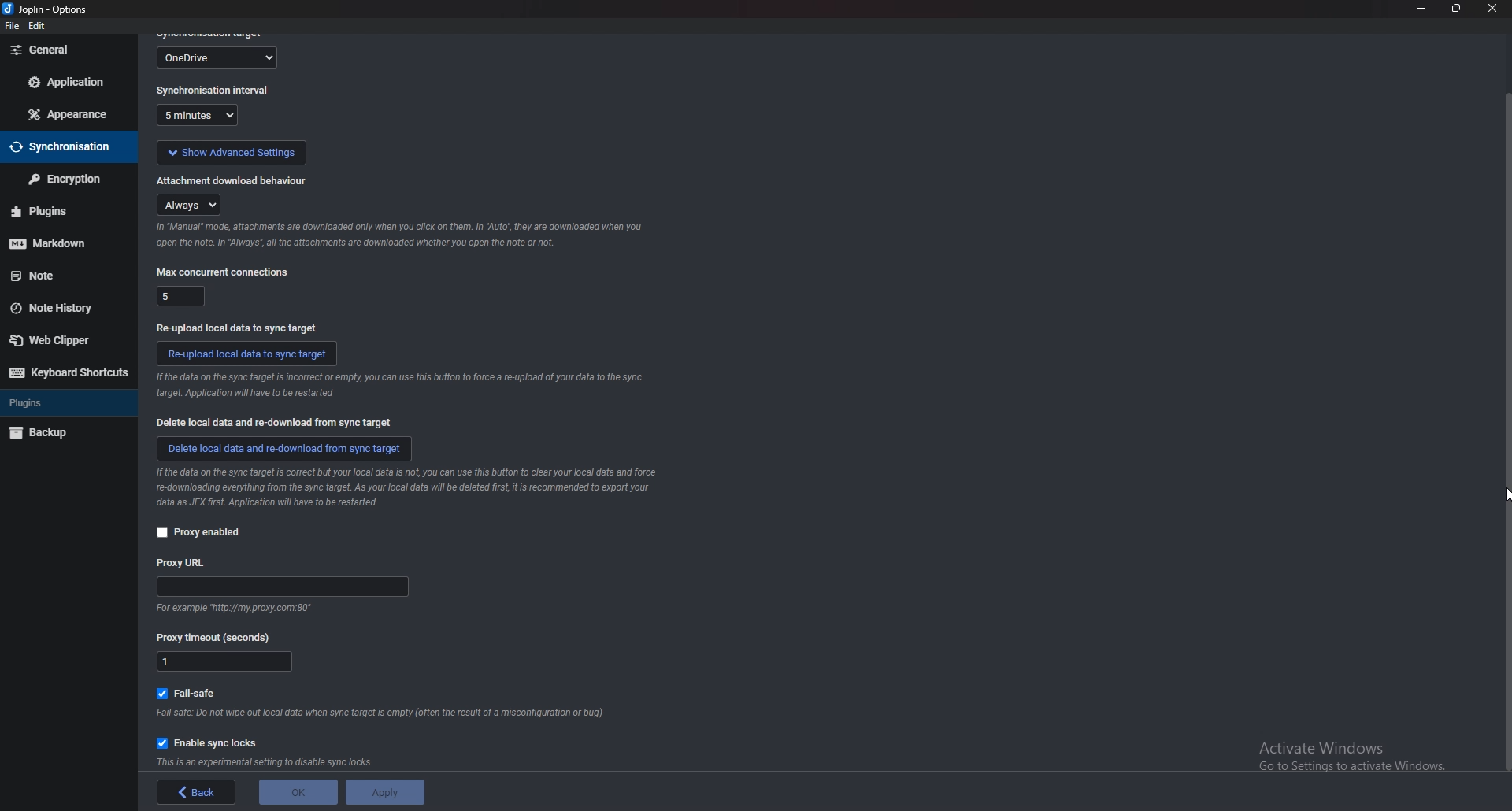 The height and width of the screenshot is (811, 1512). What do you see at coordinates (10, 27) in the screenshot?
I see `file` at bounding box center [10, 27].